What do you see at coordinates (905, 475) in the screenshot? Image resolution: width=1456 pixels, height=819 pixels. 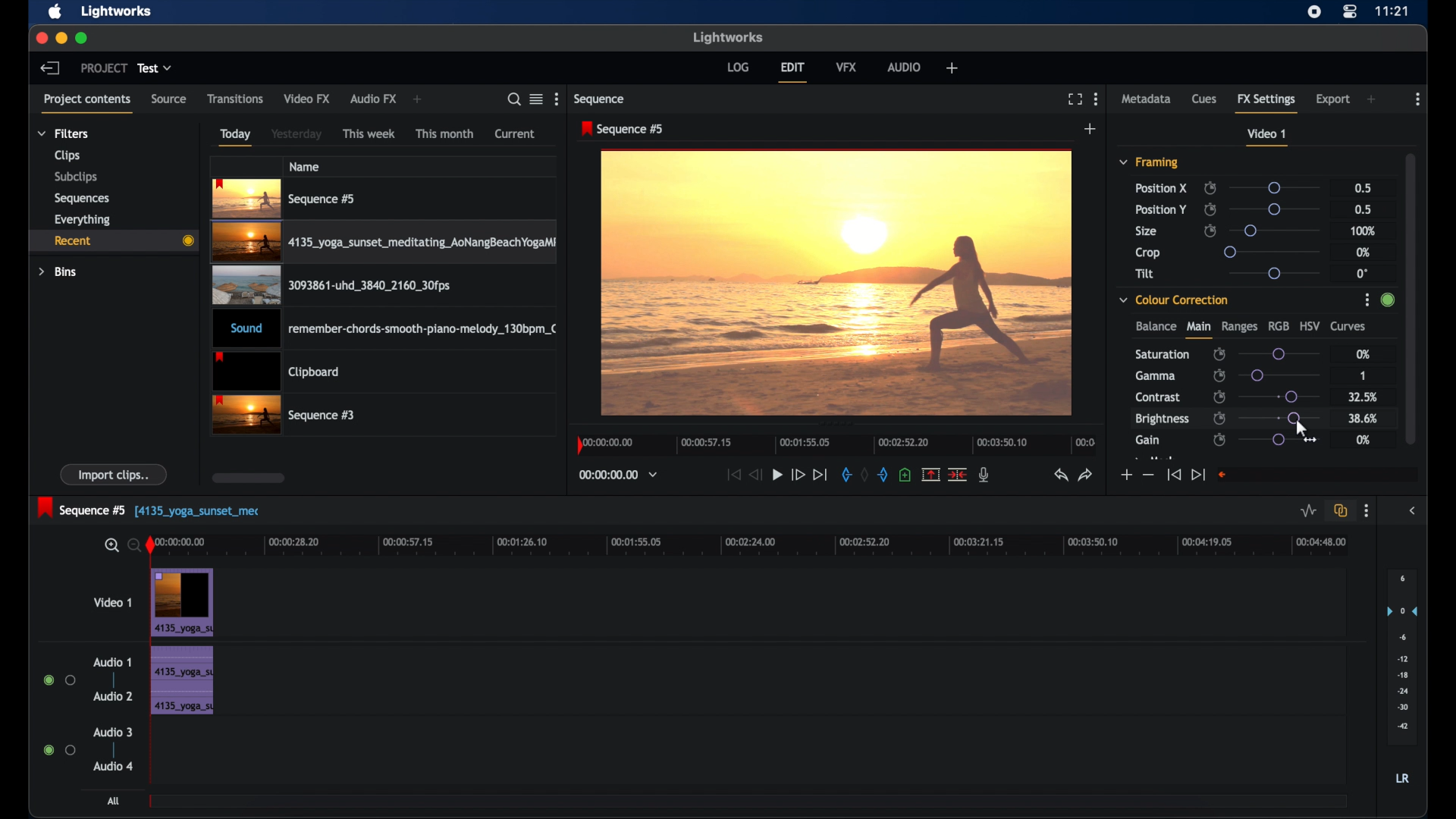 I see `add cue at current position` at bounding box center [905, 475].